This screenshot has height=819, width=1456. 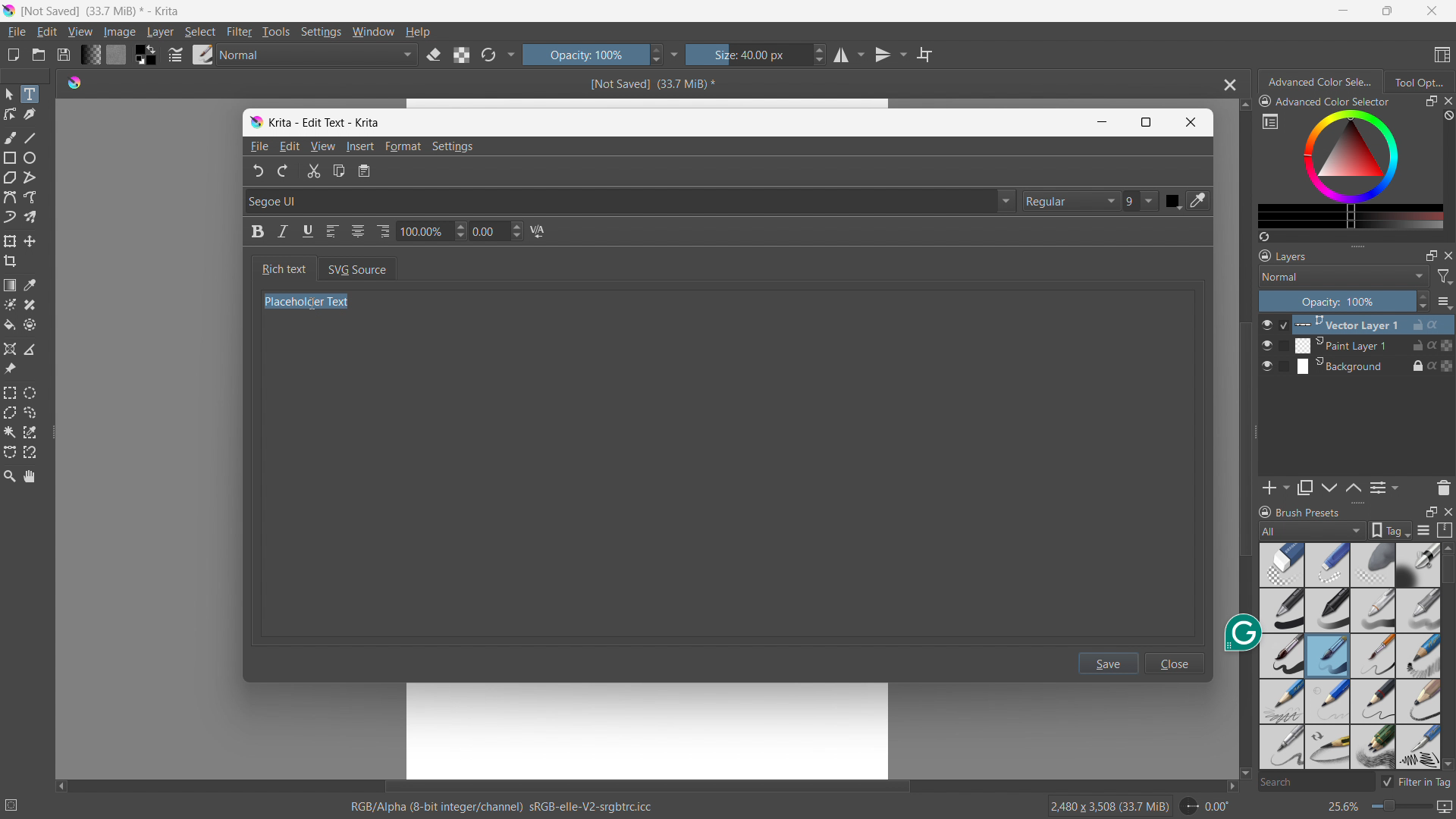 I want to click on blending mode, so click(x=1344, y=276).